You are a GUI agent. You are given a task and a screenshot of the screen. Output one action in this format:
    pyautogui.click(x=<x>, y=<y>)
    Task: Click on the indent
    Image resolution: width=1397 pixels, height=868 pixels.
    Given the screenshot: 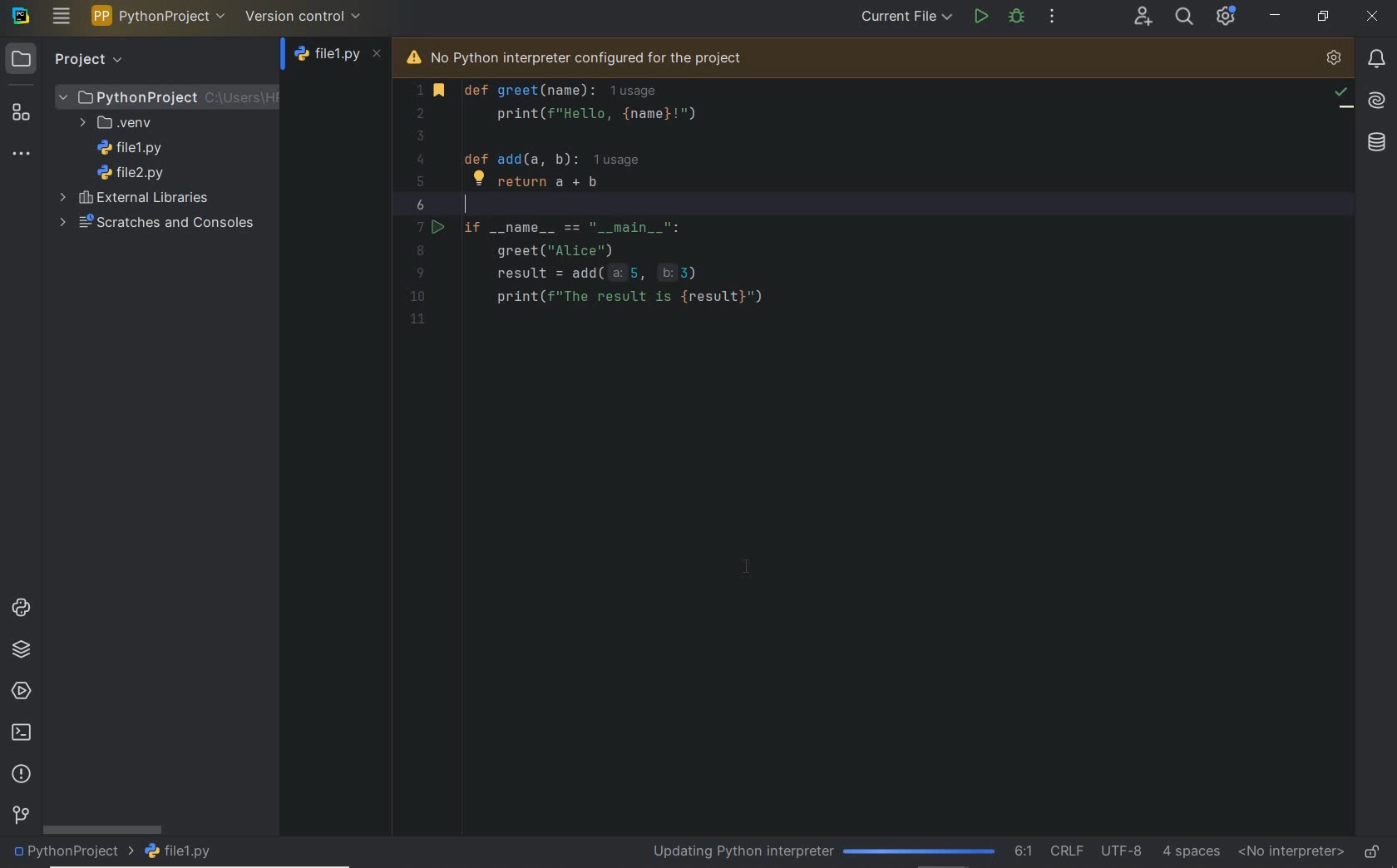 What is the action you would take?
    pyautogui.click(x=1192, y=851)
    